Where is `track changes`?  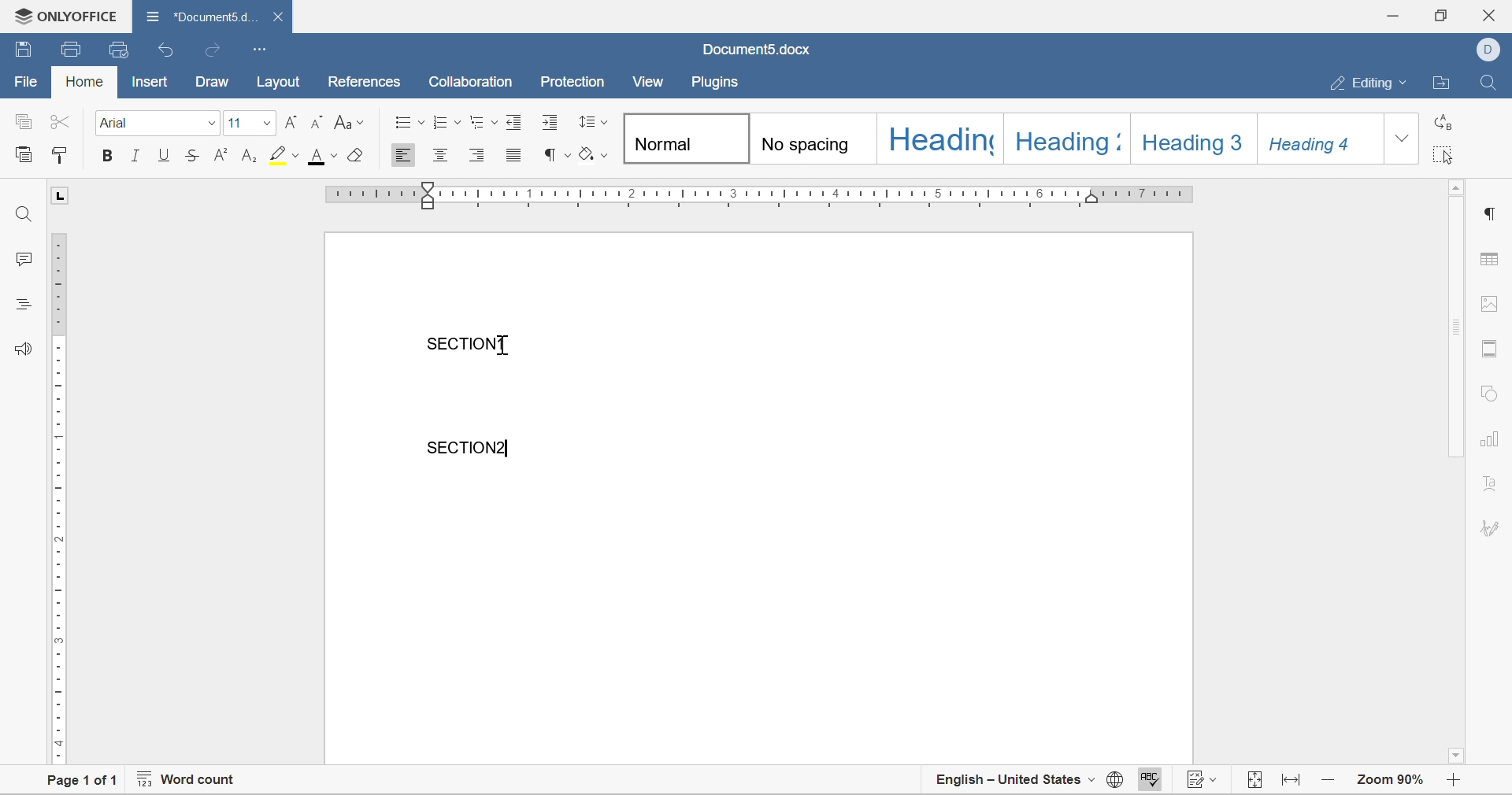
track changes is located at coordinates (1205, 782).